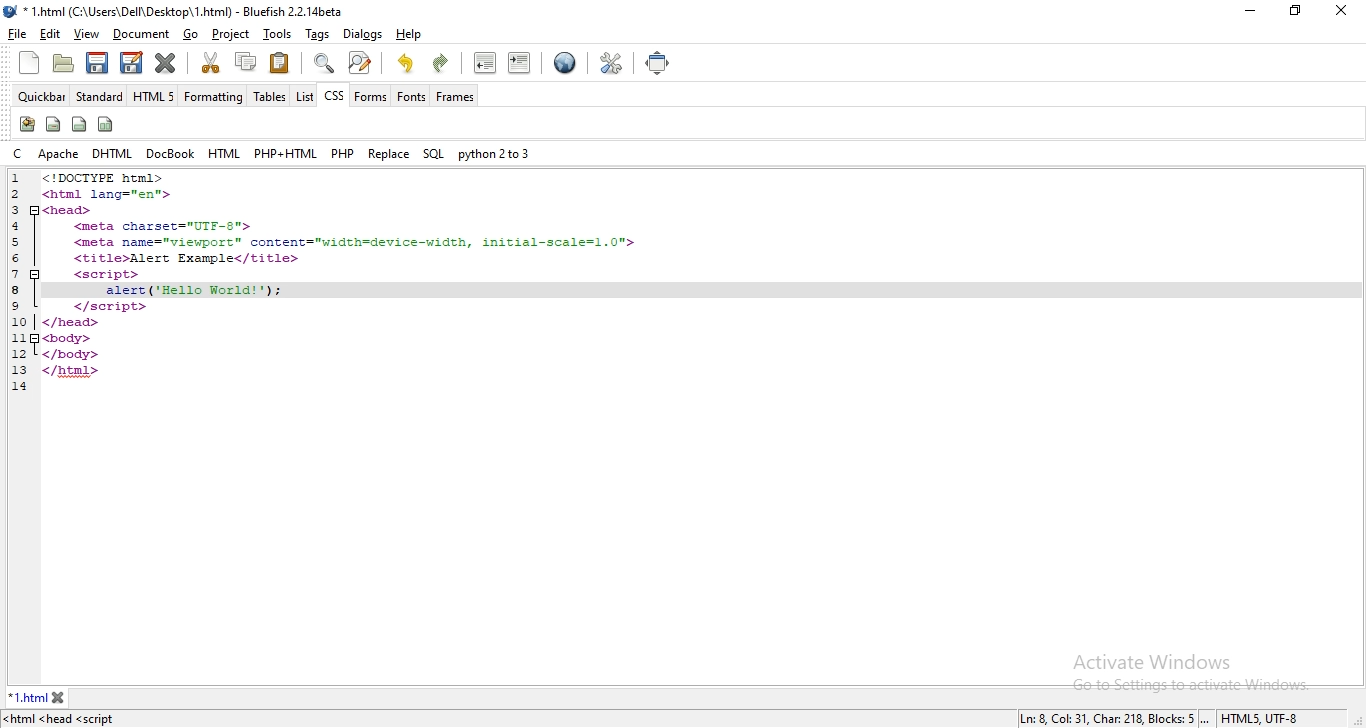  I want to click on <head>, so click(69, 209).